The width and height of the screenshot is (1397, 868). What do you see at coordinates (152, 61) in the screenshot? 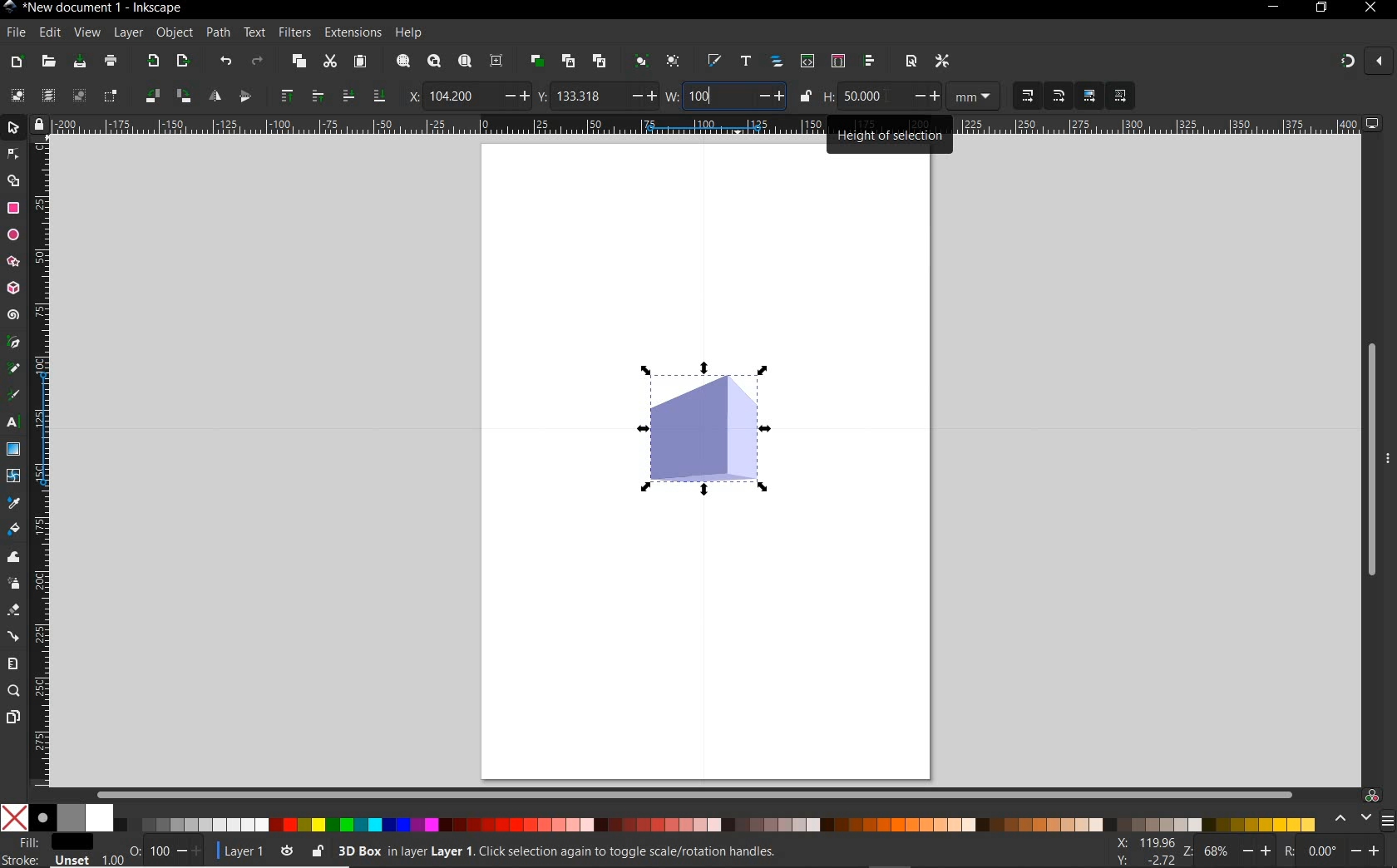
I see `import` at bounding box center [152, 61].